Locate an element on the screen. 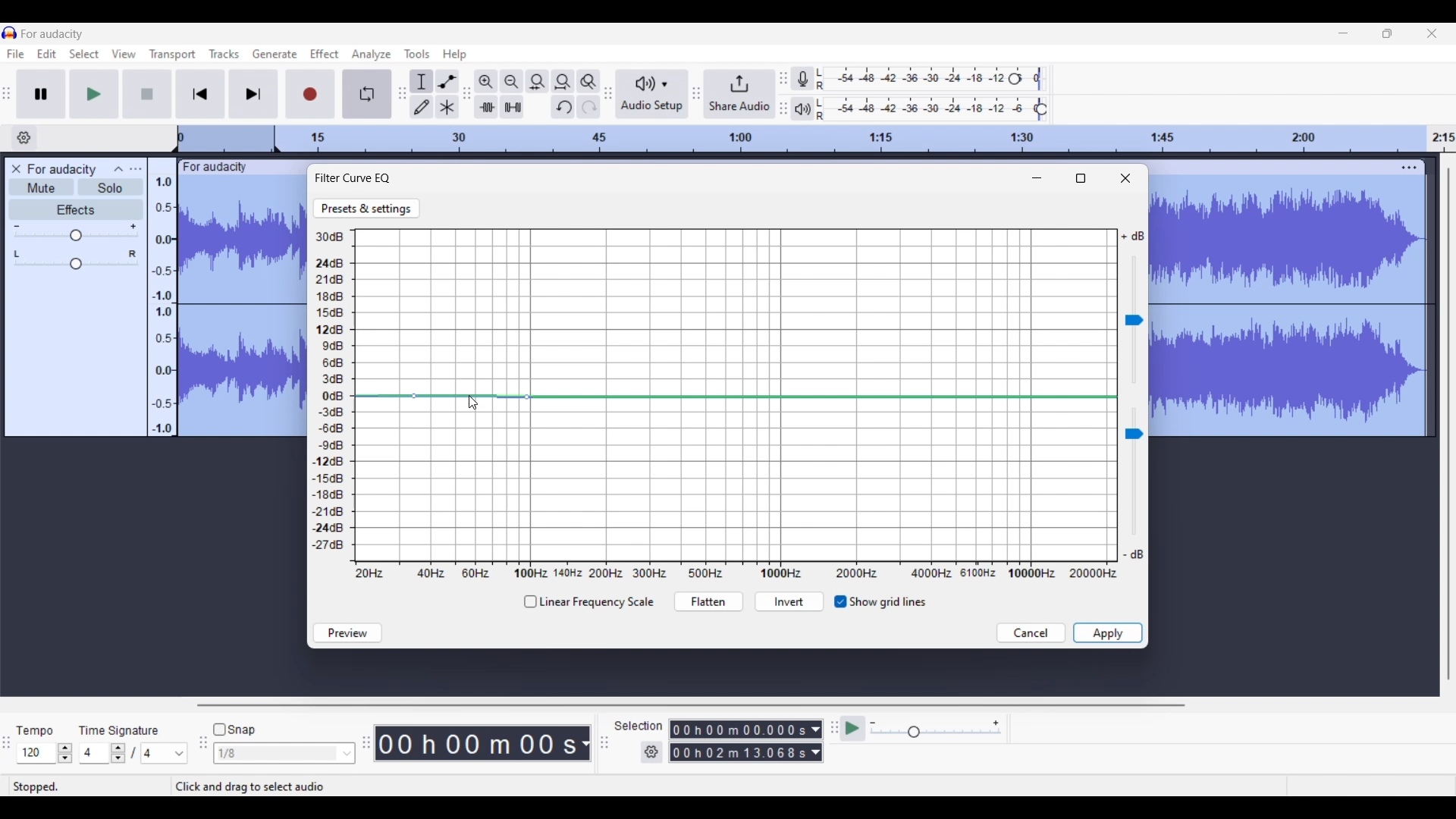 This screenshot has height=819, width=1456. Edit menu is located at coordinates (47, 55).